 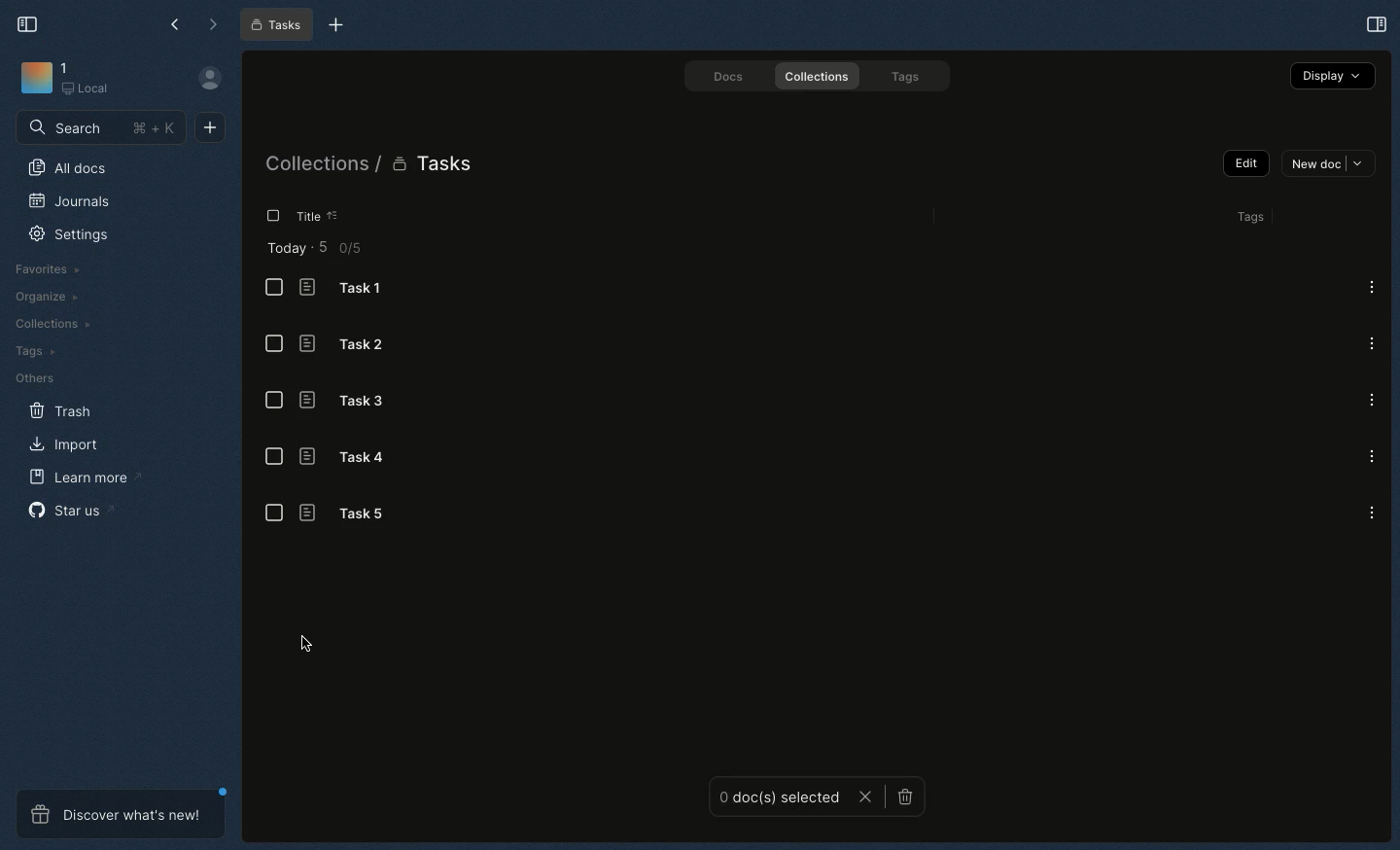 I want to click on Options, so click(x=1371, y=456).